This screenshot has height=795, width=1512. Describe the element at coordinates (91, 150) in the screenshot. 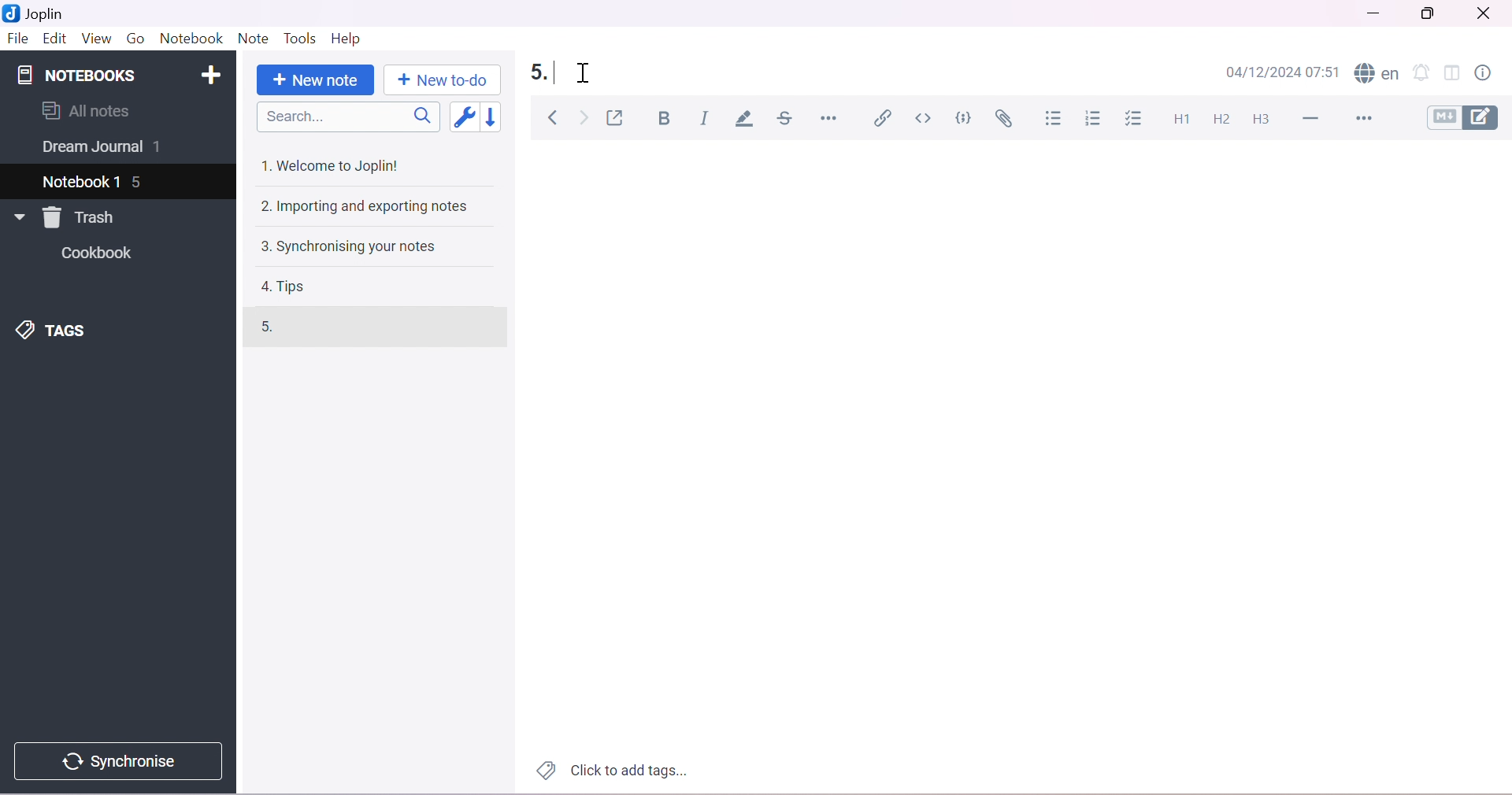

I see `Dream Journal` at that location.